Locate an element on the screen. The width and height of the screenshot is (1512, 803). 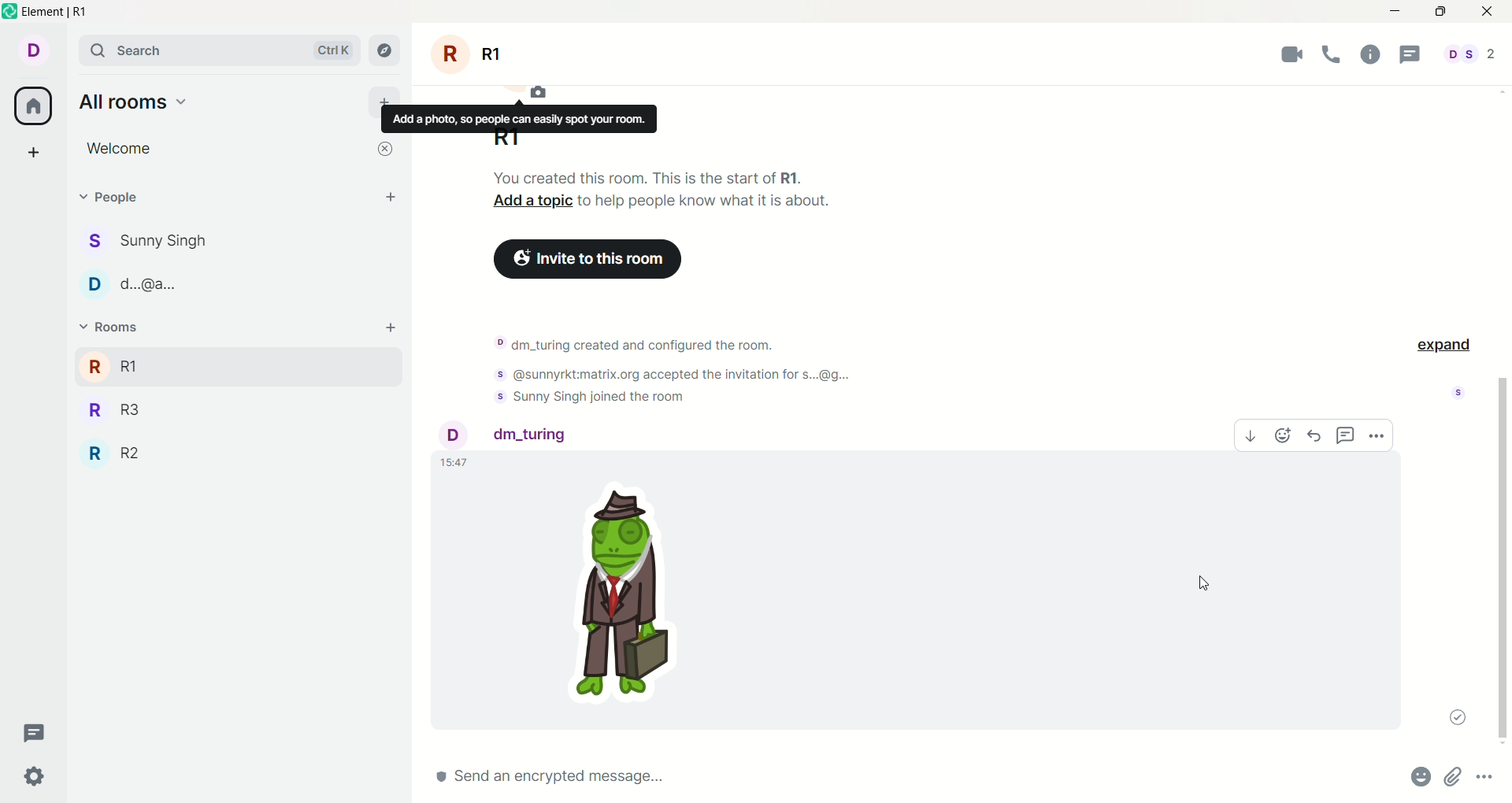
add is located at coordinates (385, 96).